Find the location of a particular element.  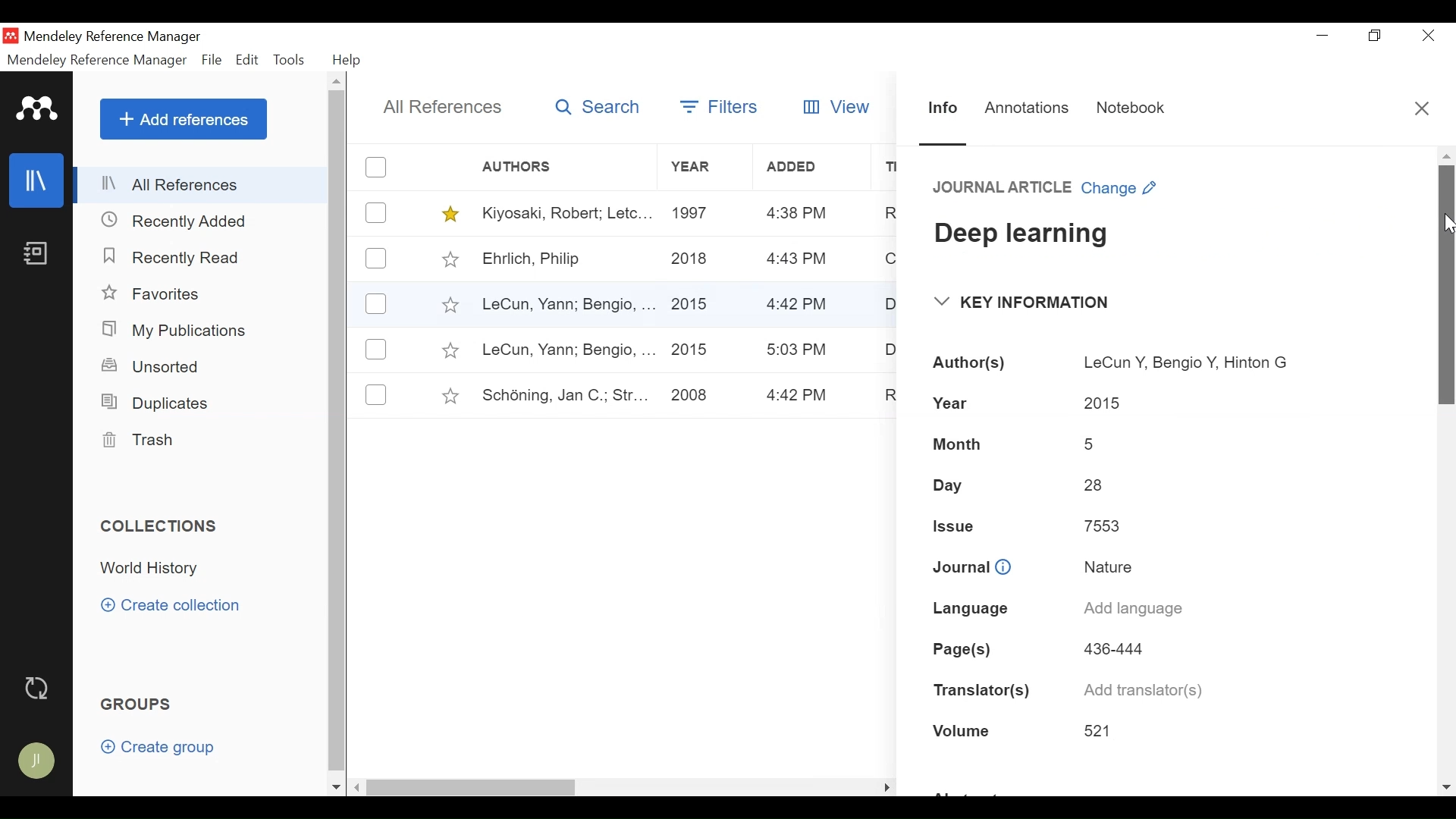

Toggle Favorites is located at coordinates (450, 259).